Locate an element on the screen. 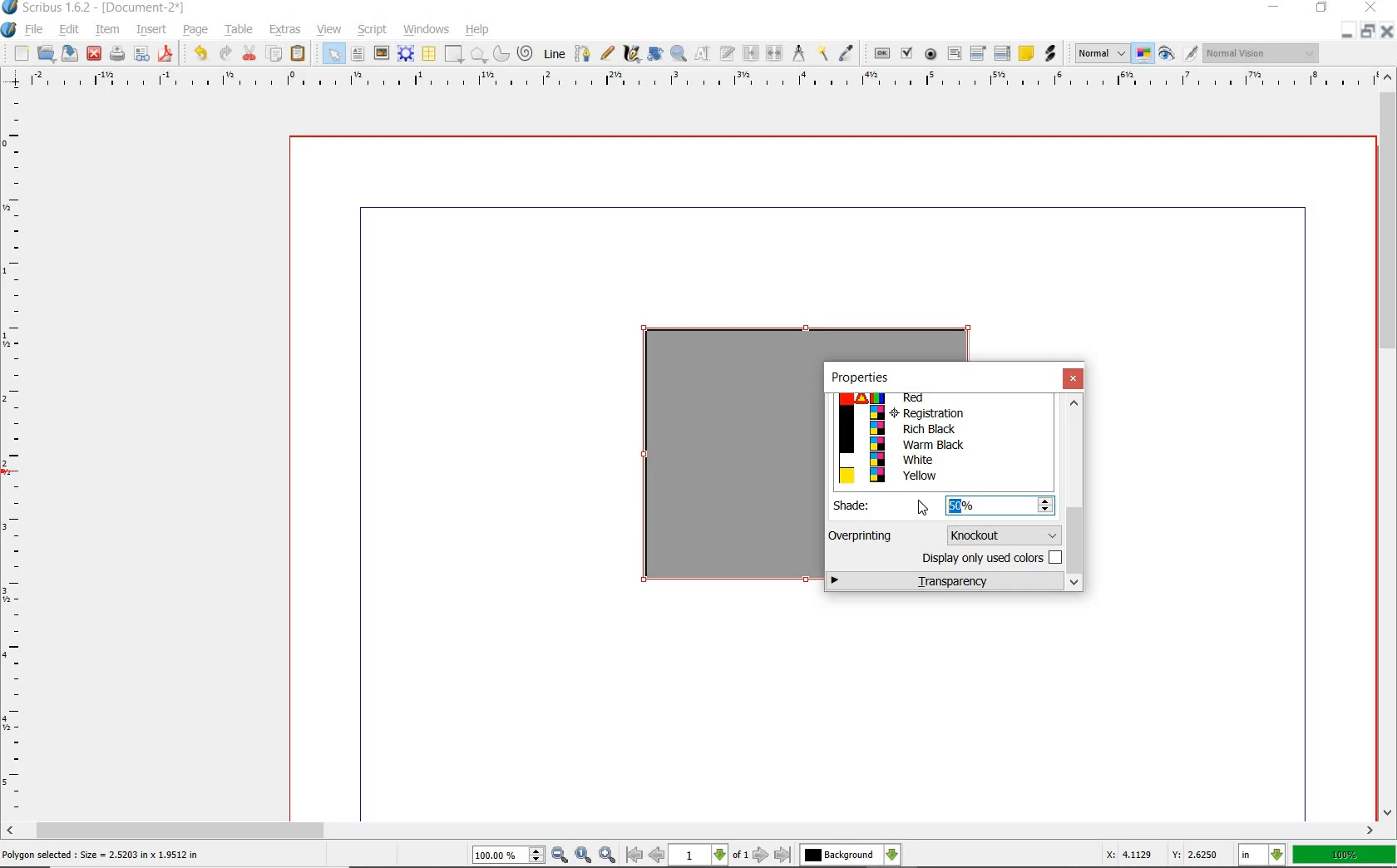 The width and height of the screenshot is (1397, 868). select current zoom level is located at coordinates (508, 856).